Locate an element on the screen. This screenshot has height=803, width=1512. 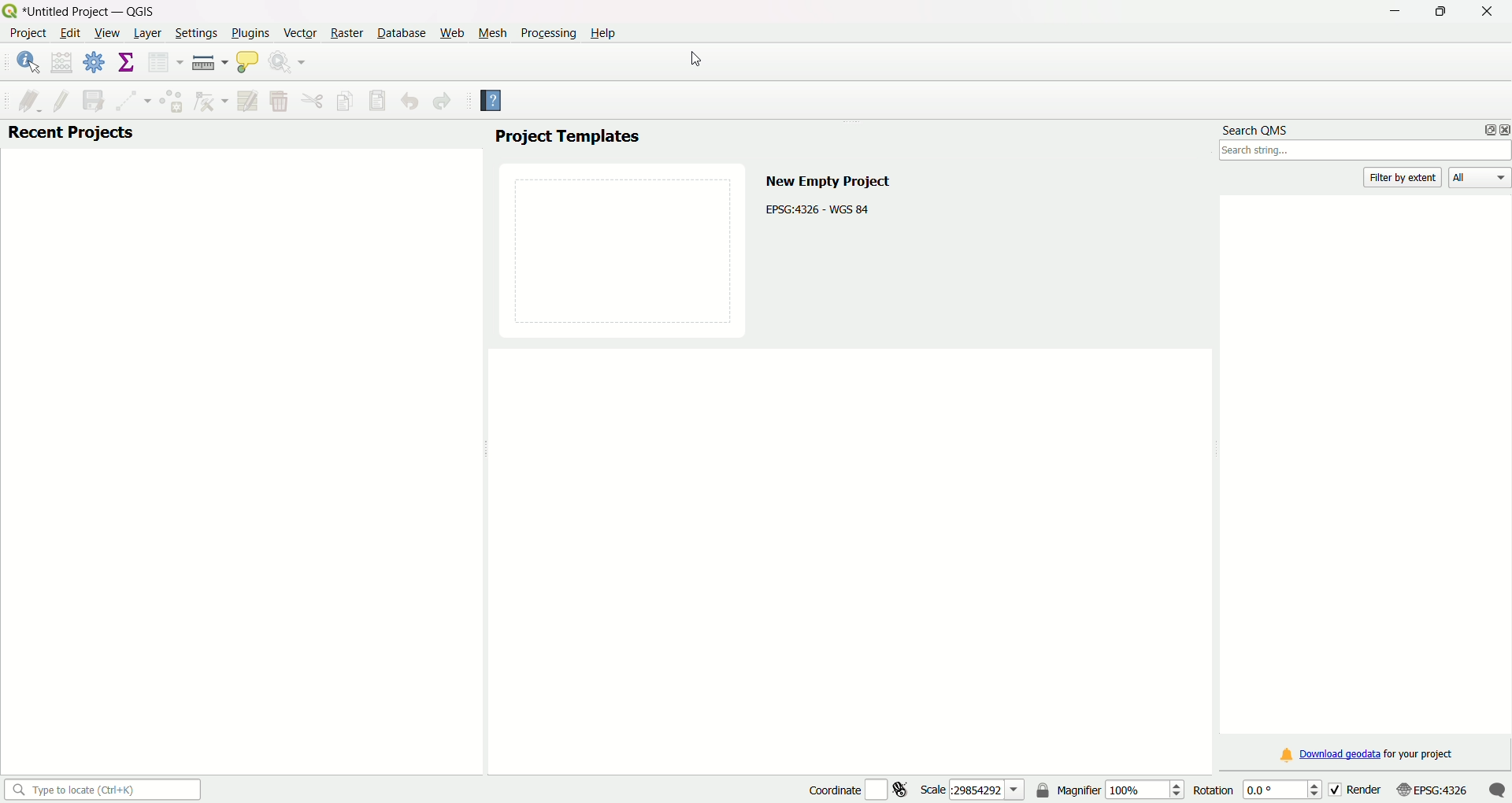
project templates is located at coordinates (566, 138).